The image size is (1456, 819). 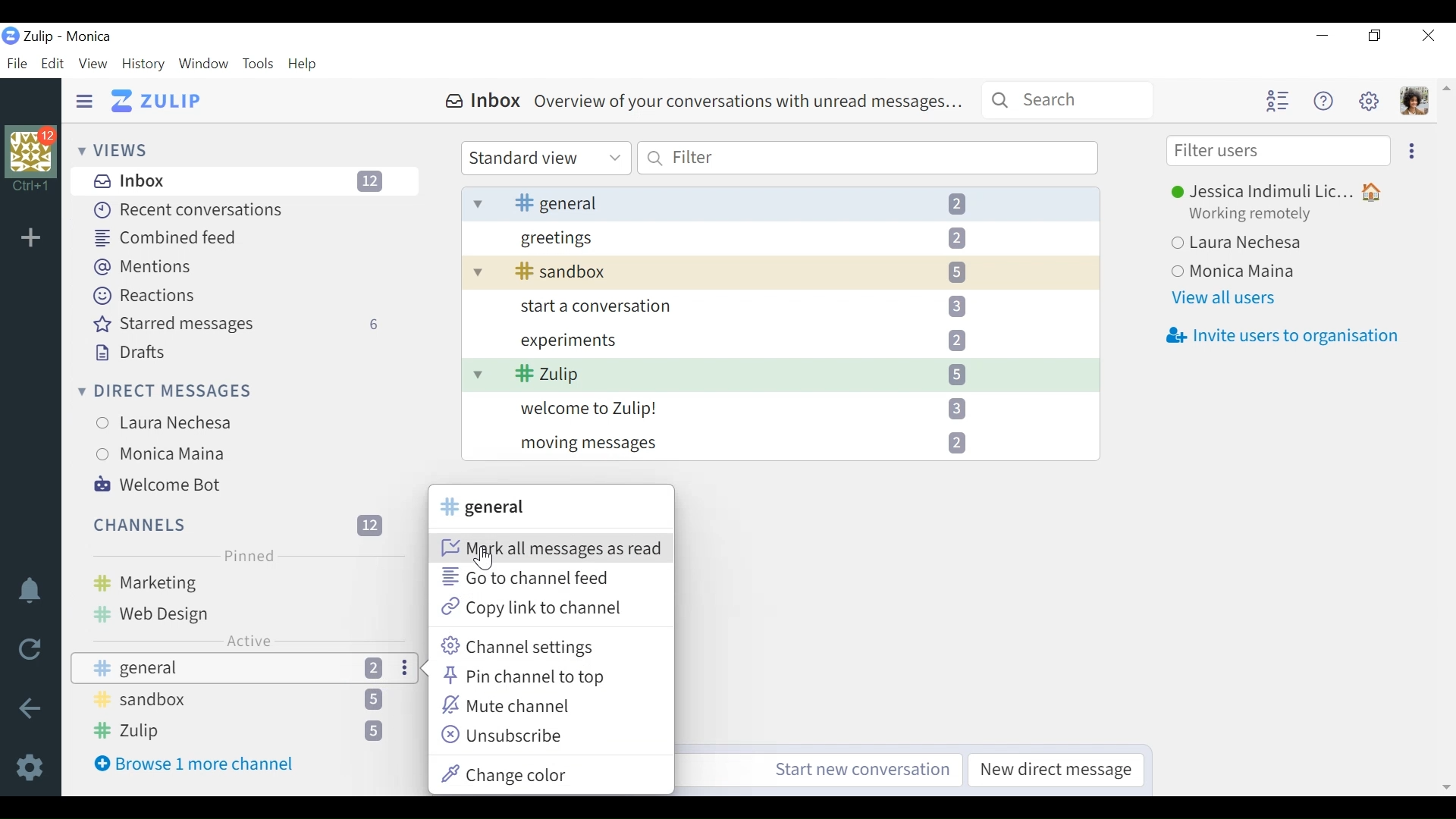 What do you see at coordinates (533, 577) in the screenshot?
I see `Go to channel feed` at bounding box center [533, 577].